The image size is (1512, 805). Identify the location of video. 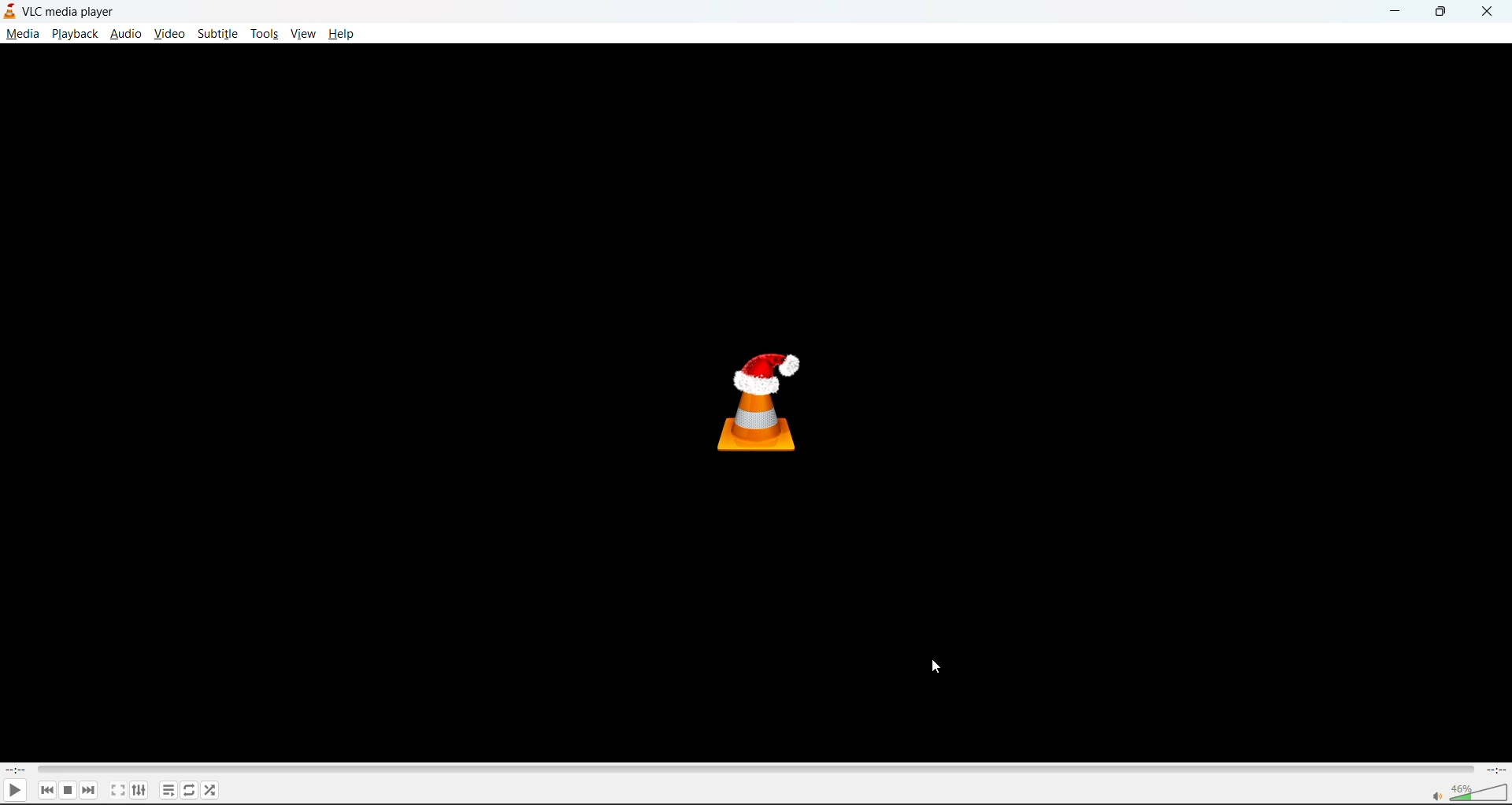
(169, 35).